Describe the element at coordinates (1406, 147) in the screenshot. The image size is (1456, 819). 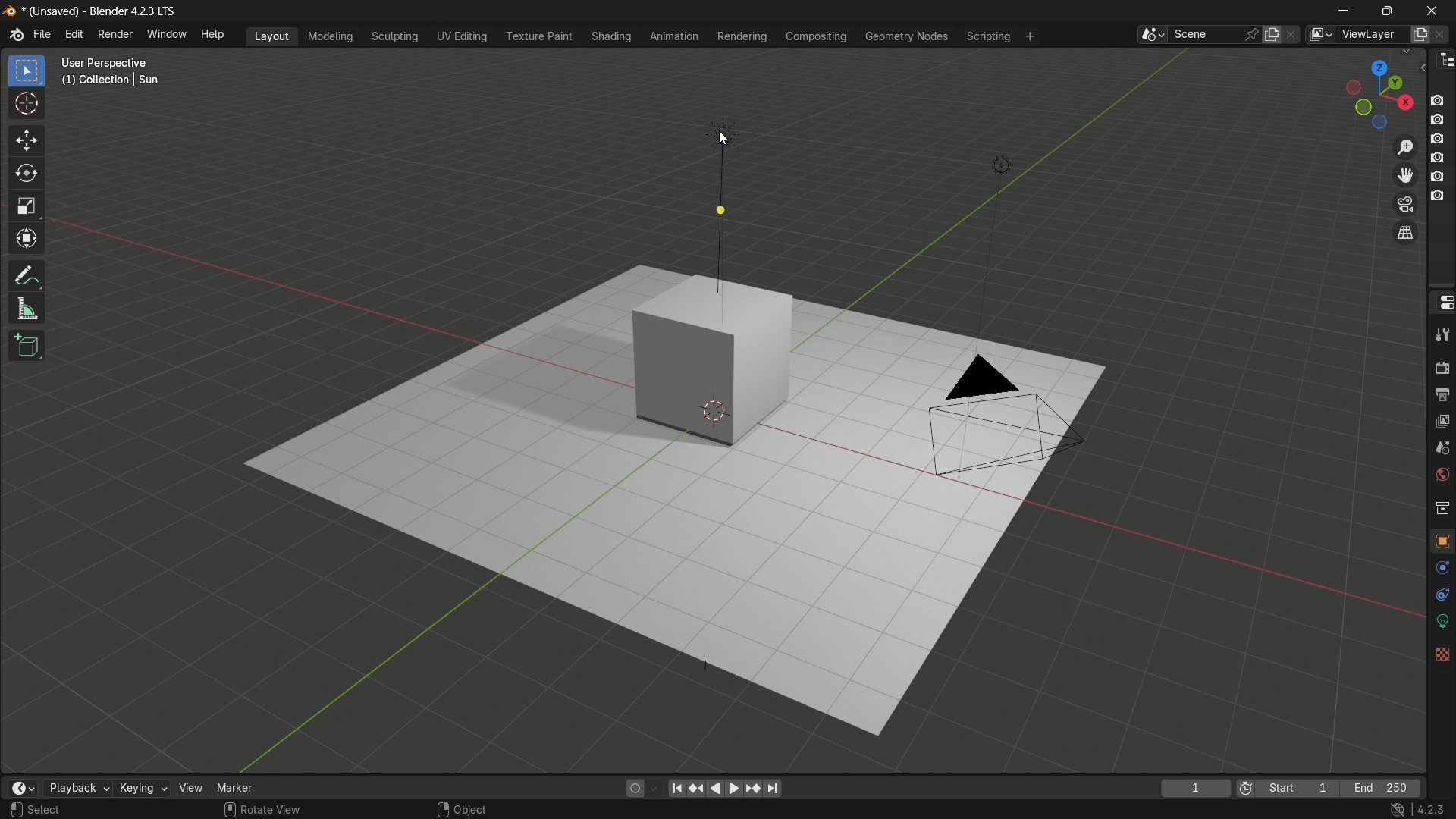
I see `zoom in/out` at that location.